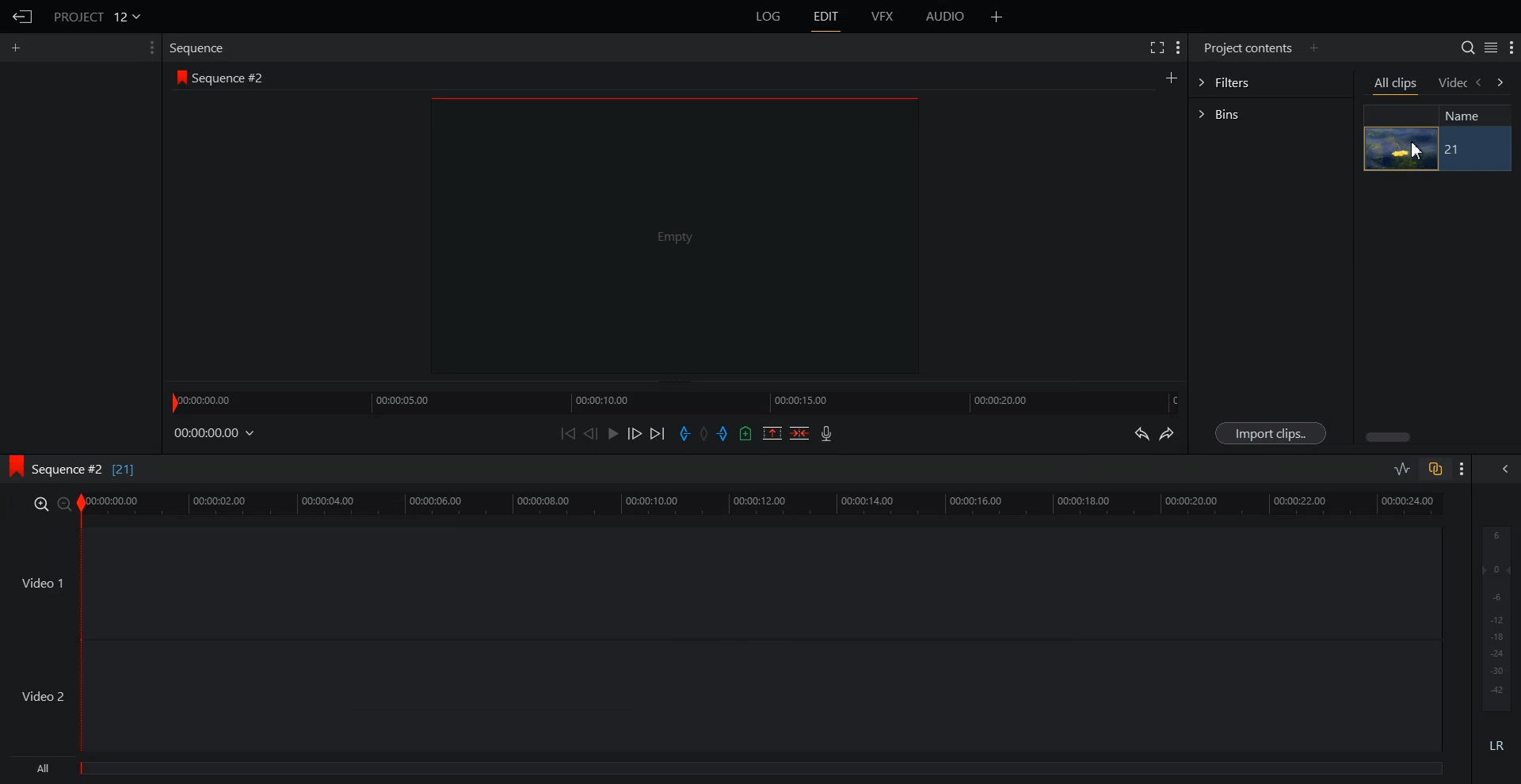 The height and width of the screenshot is (784, 1521). I want to click on Toggle between list and tile view, so click(1488, 48).